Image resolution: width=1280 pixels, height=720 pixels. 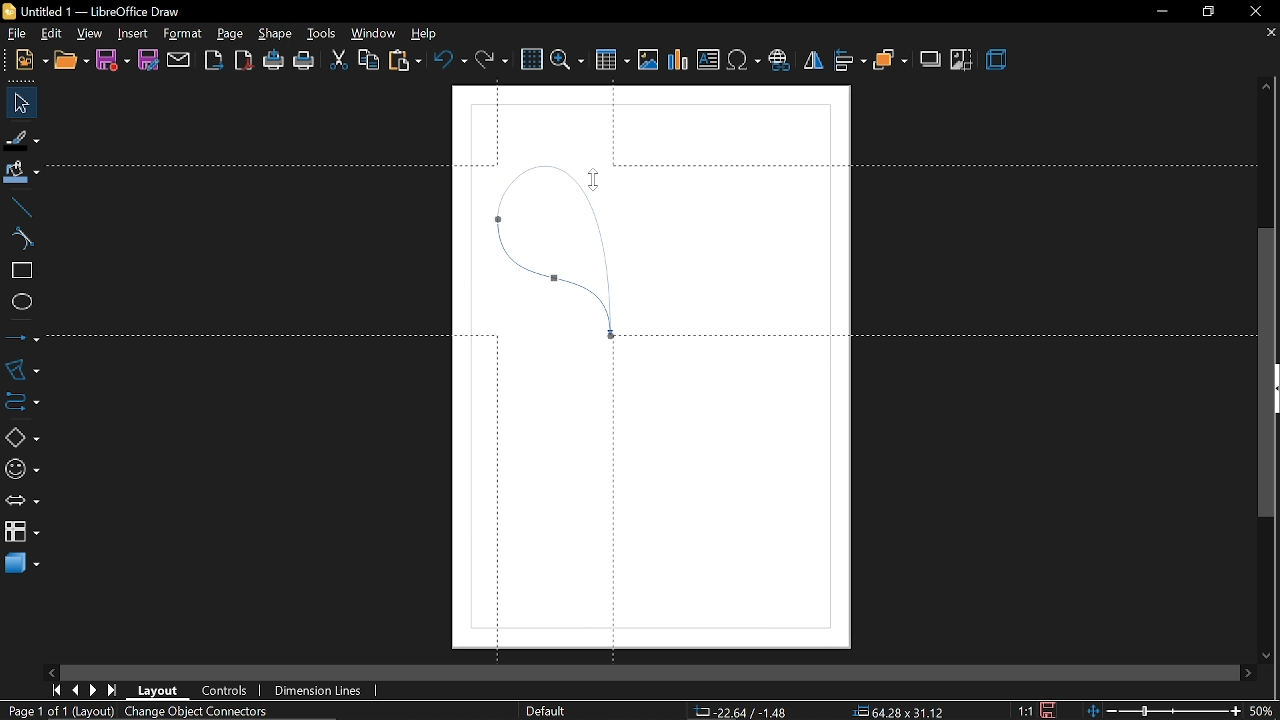 I want to click on move down, so click(x=1269, y=653).